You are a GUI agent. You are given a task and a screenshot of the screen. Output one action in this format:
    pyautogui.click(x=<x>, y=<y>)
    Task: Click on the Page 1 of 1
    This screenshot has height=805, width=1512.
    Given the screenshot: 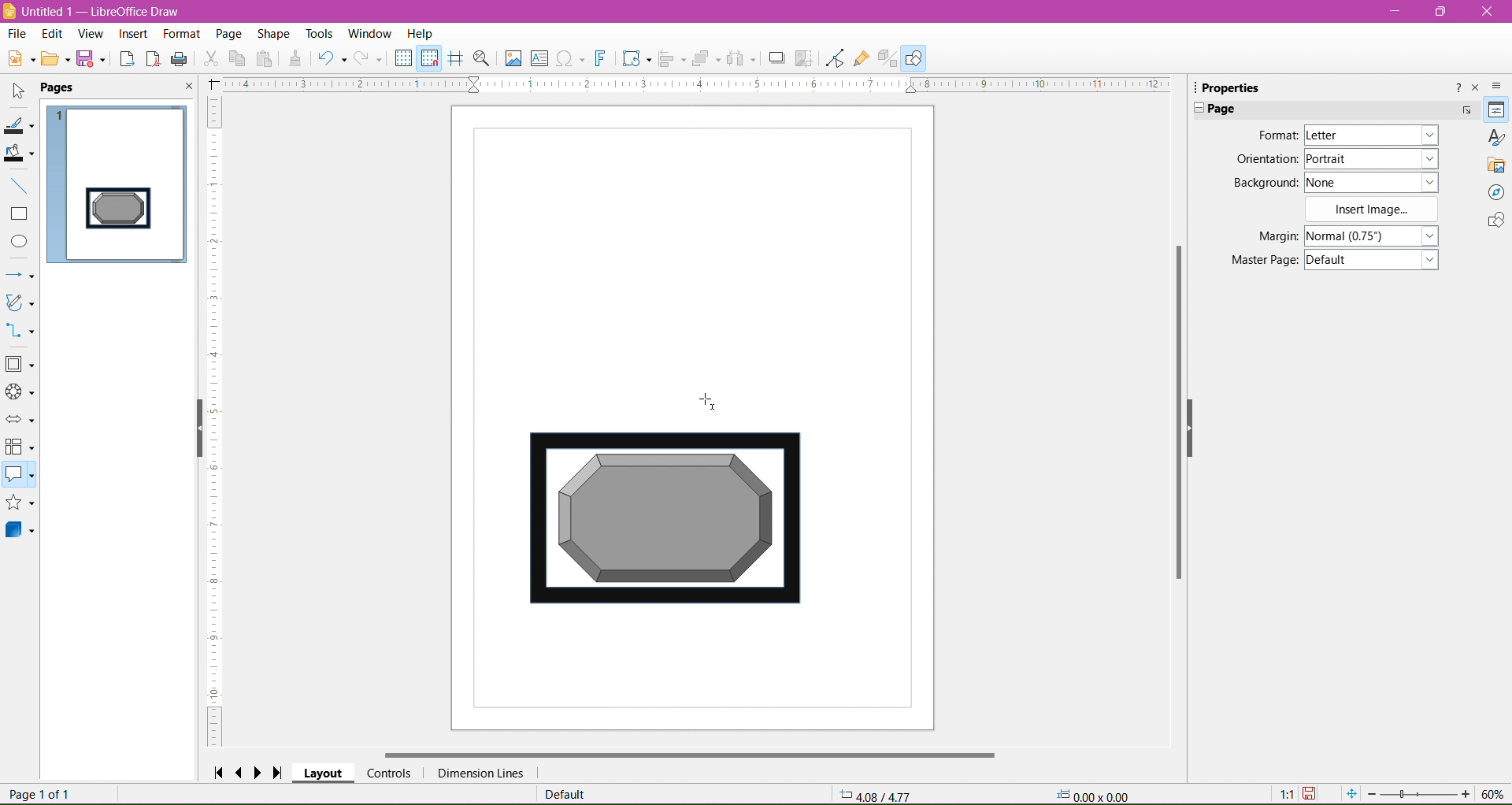 What is the action you would take?
    pyautogui.click(x=43, y=795)
    